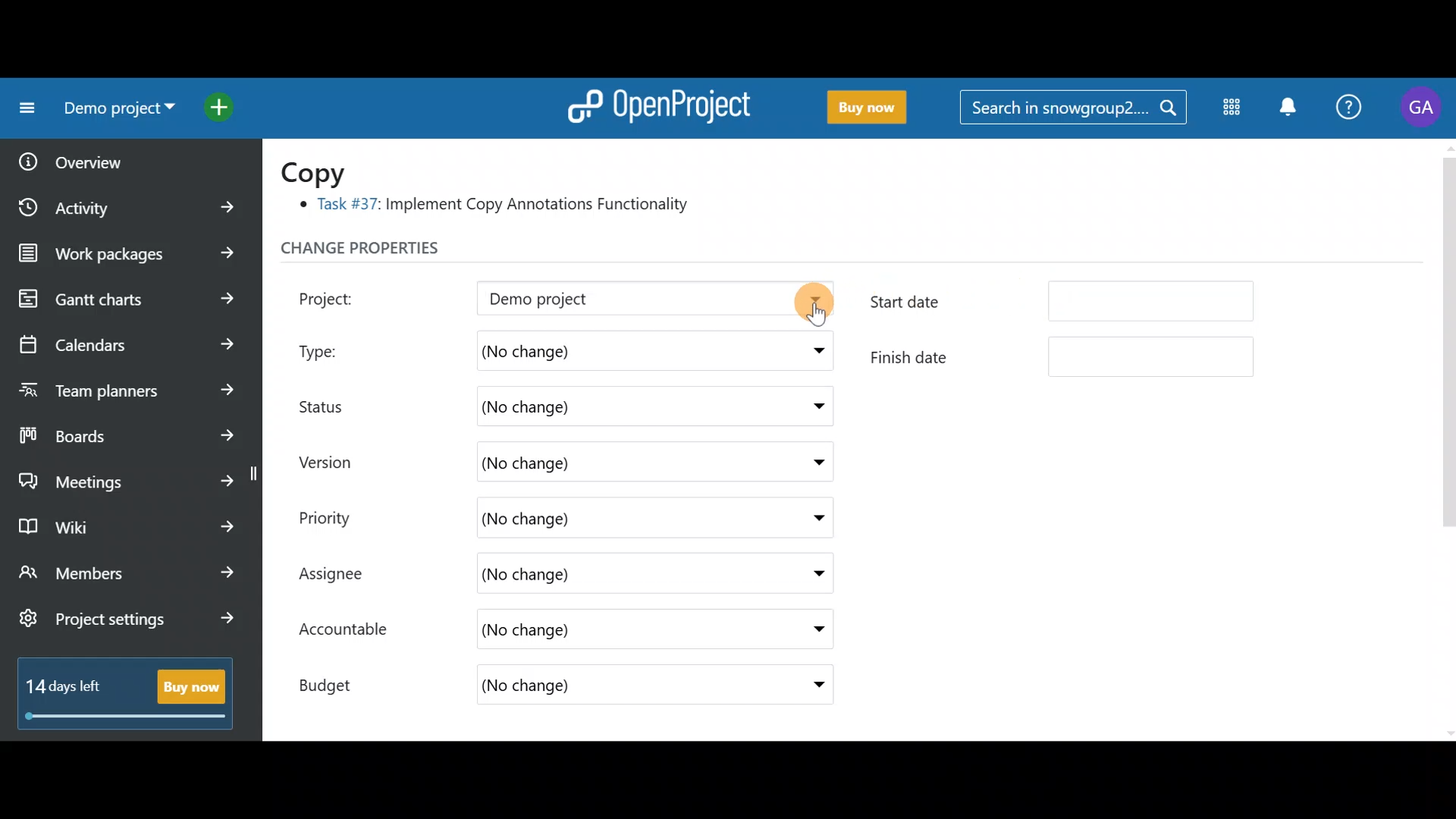 The image size is (1456, 819). Describe the element at coordinates (346, 576) in the screenshot. I see `Assignee` at that location.